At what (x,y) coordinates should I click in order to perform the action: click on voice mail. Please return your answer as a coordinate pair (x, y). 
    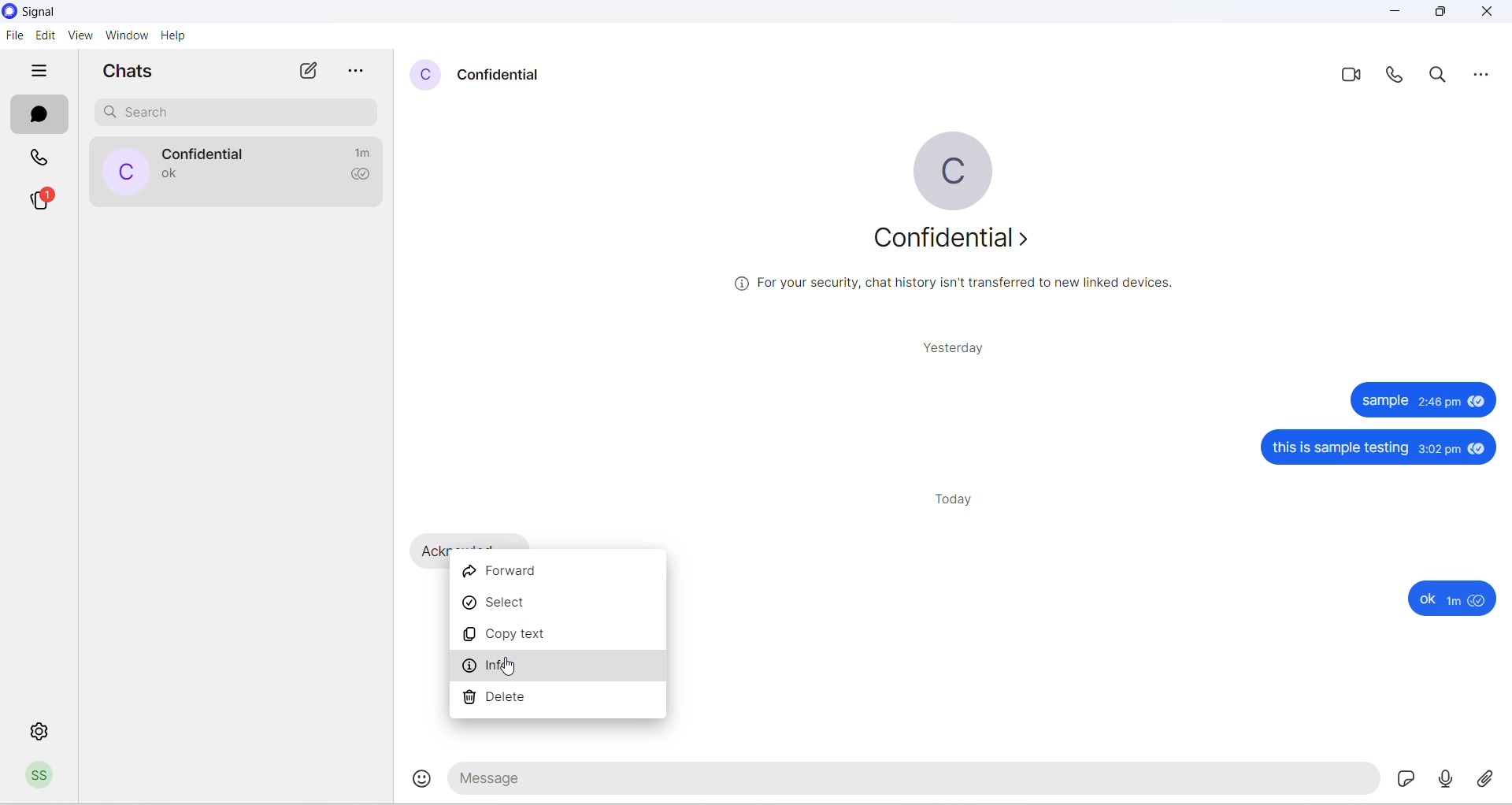
    Looking at the image, I should click on (1445, 778).